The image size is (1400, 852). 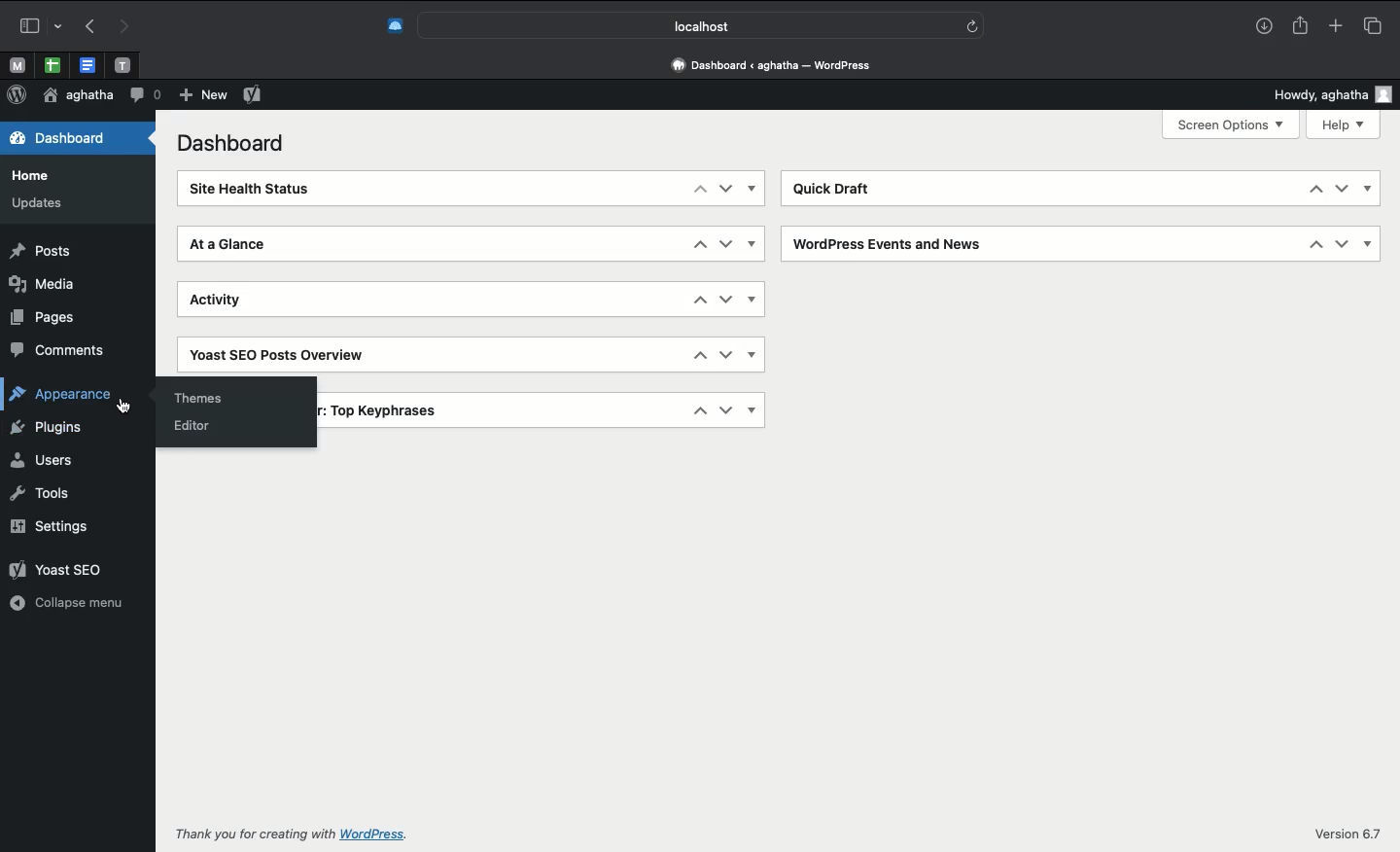 What do you see at coordinates (145, 93) in the screenshot?
I see `Comment` at bounding box center [145, 93].